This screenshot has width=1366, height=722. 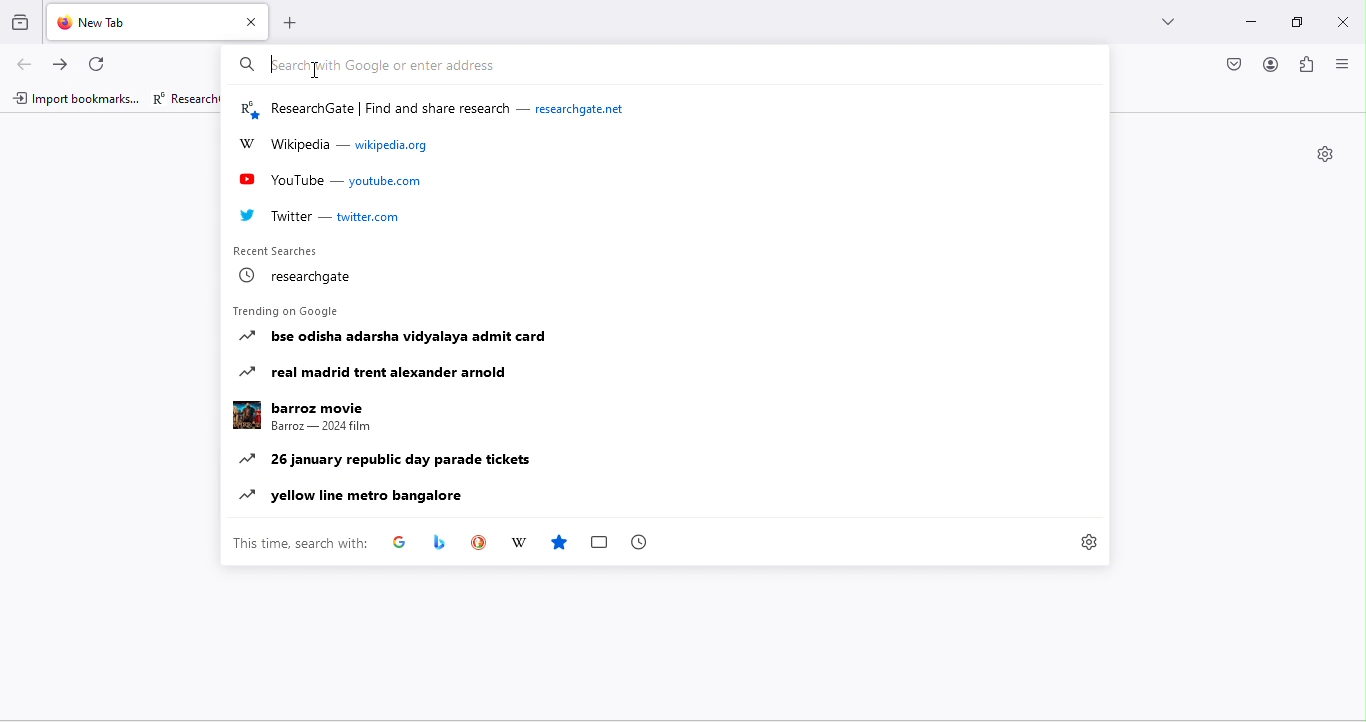 I want to click on extension, so click(x=1309, y=65).